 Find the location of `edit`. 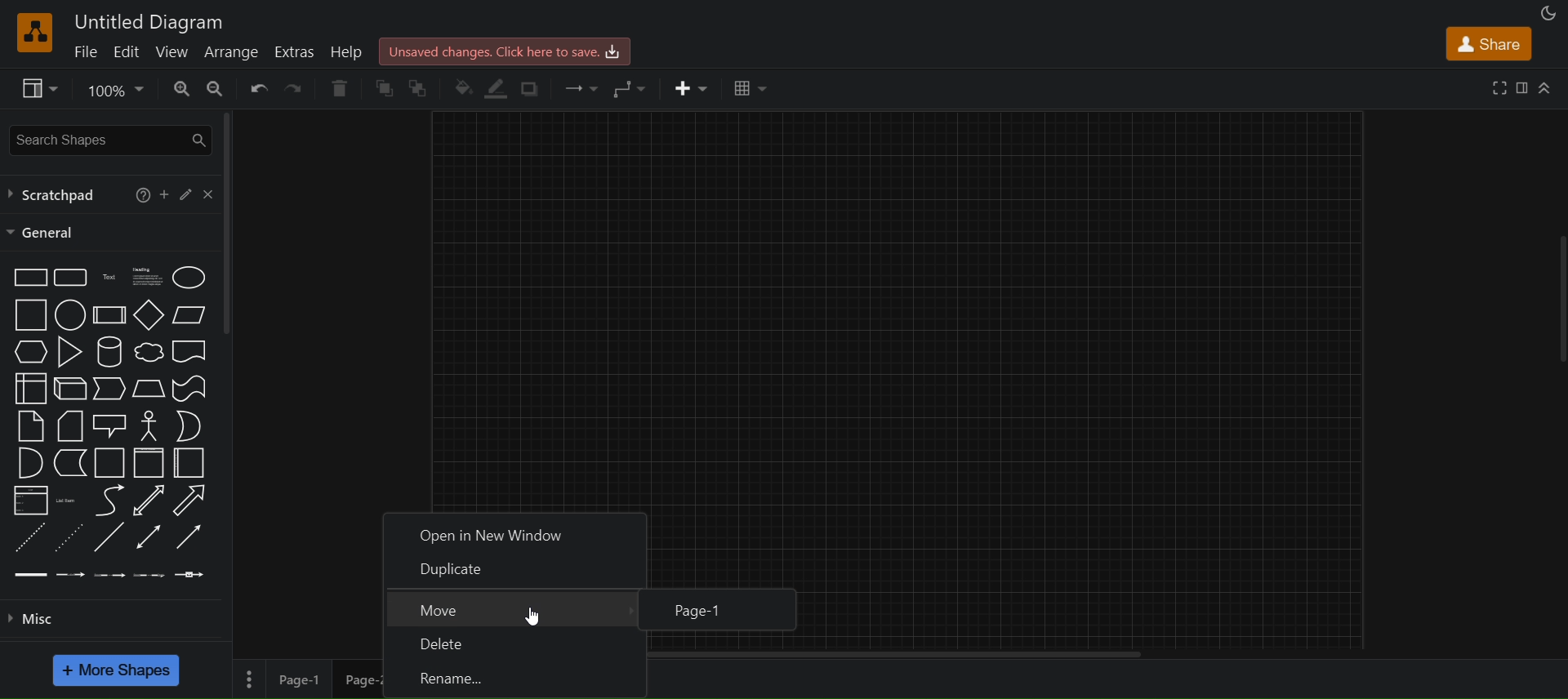

edit is located at coordinates (127, 52).